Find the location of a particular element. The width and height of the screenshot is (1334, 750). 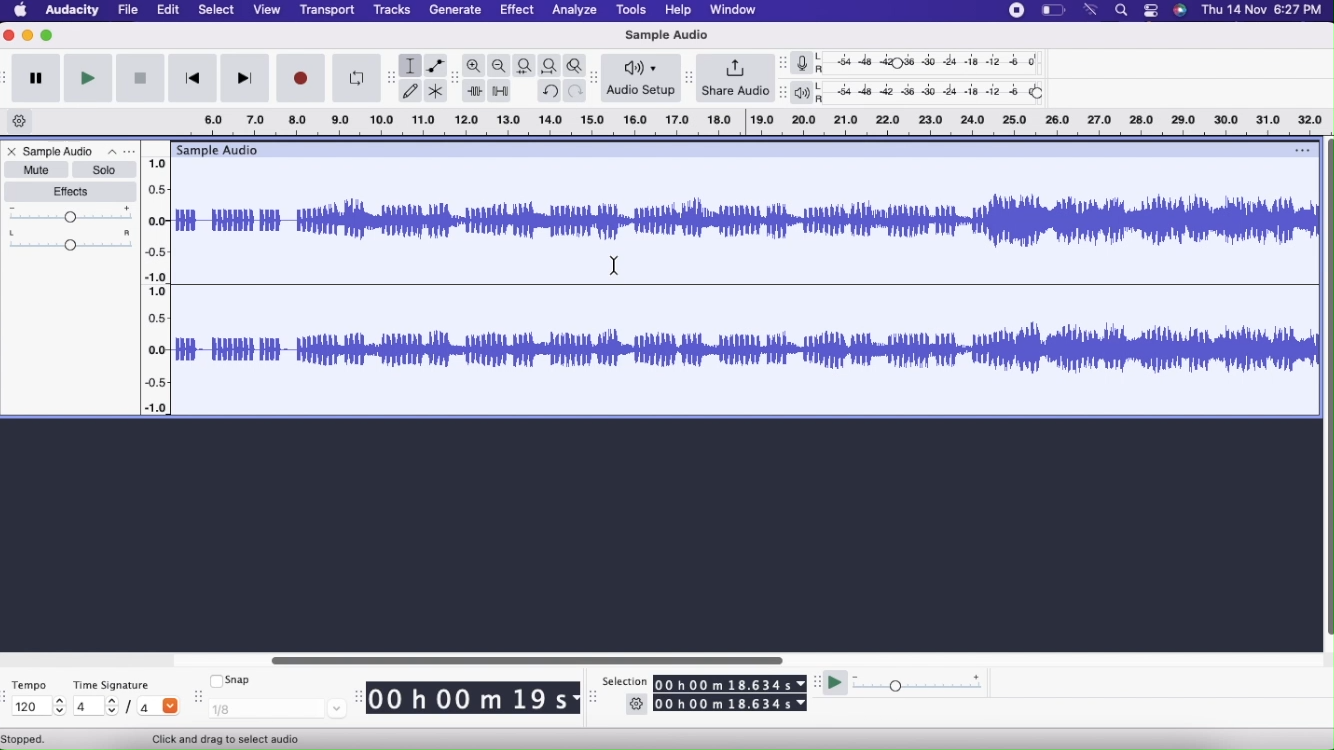

Effect is located at coordinates (516, 11).